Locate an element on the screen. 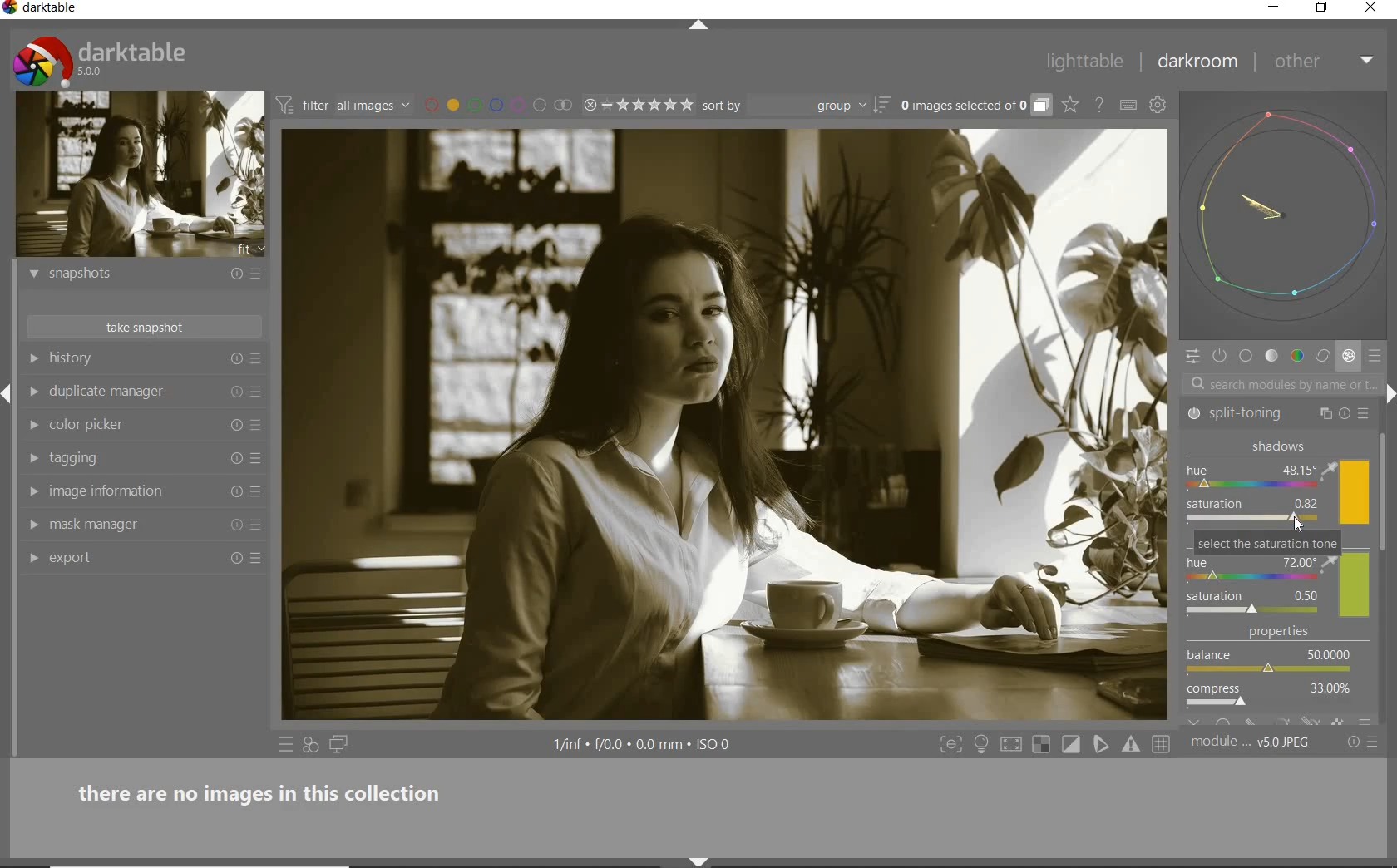 The width and height of the screenshot is (1397, 868). reset is located at coordinates (234, 560).